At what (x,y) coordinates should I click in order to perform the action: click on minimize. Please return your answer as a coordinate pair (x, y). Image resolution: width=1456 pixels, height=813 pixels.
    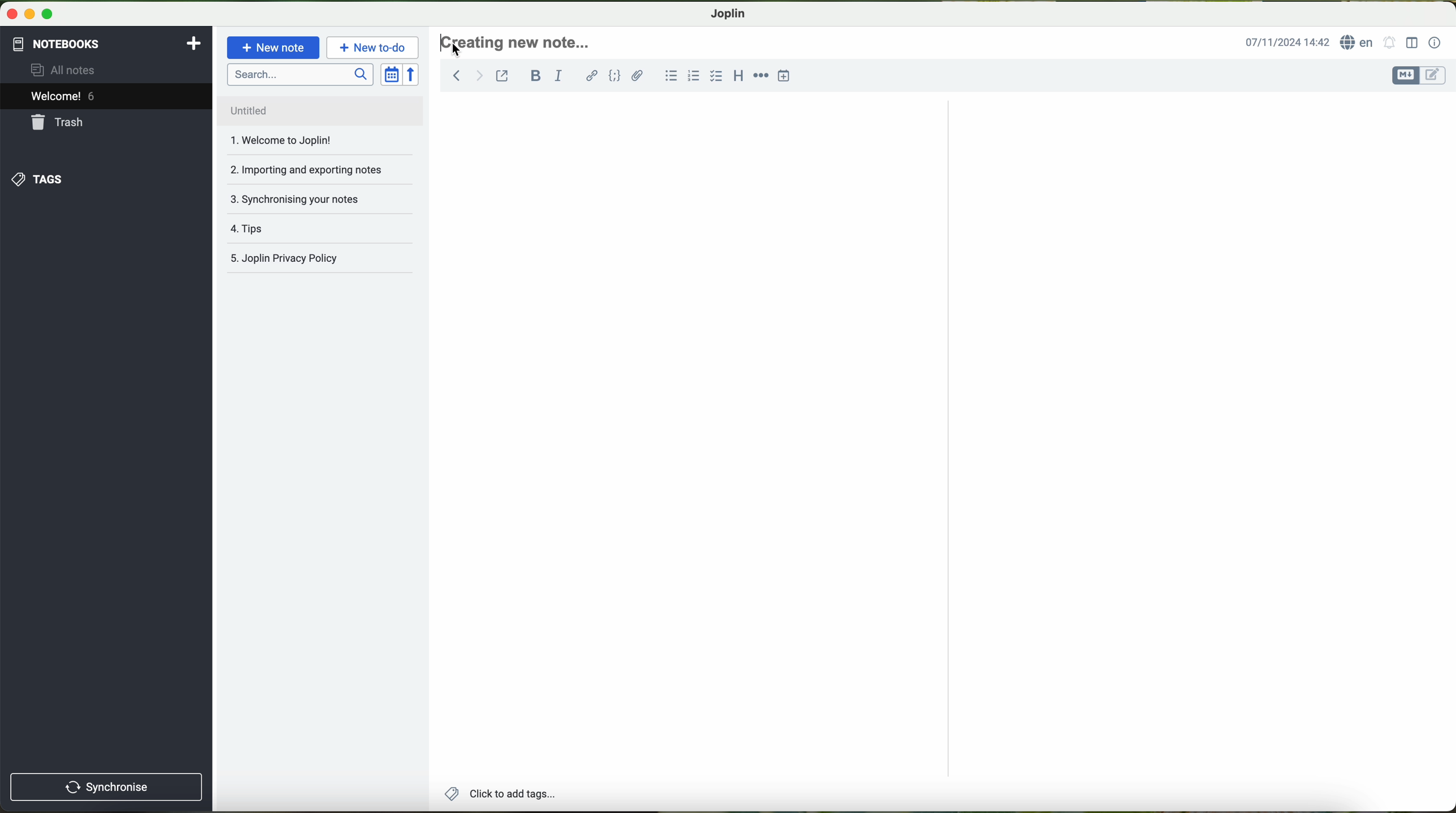
    Looking at the image, I should click on (29, 17).